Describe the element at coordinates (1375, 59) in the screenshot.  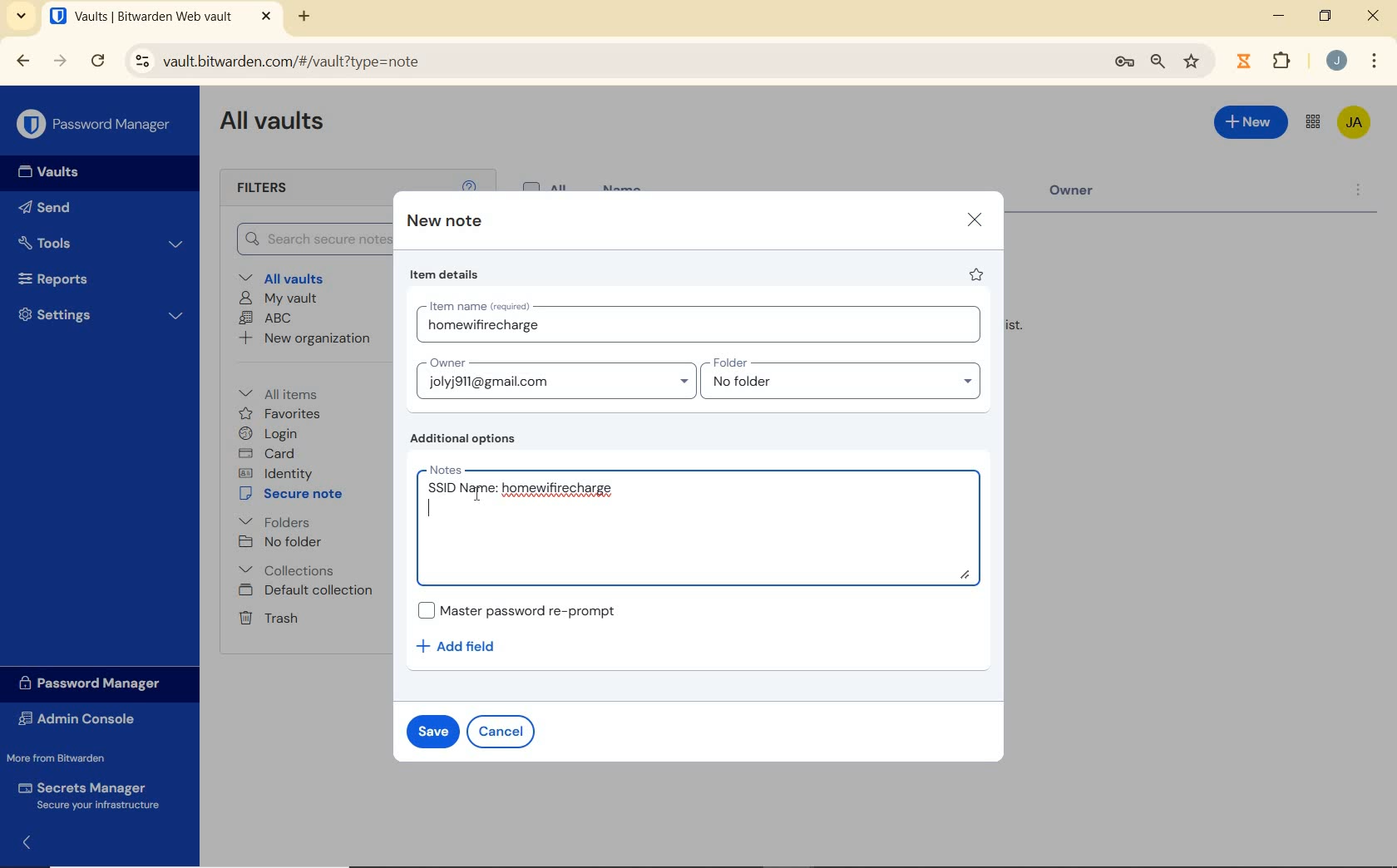
I see `More Options` at that location.